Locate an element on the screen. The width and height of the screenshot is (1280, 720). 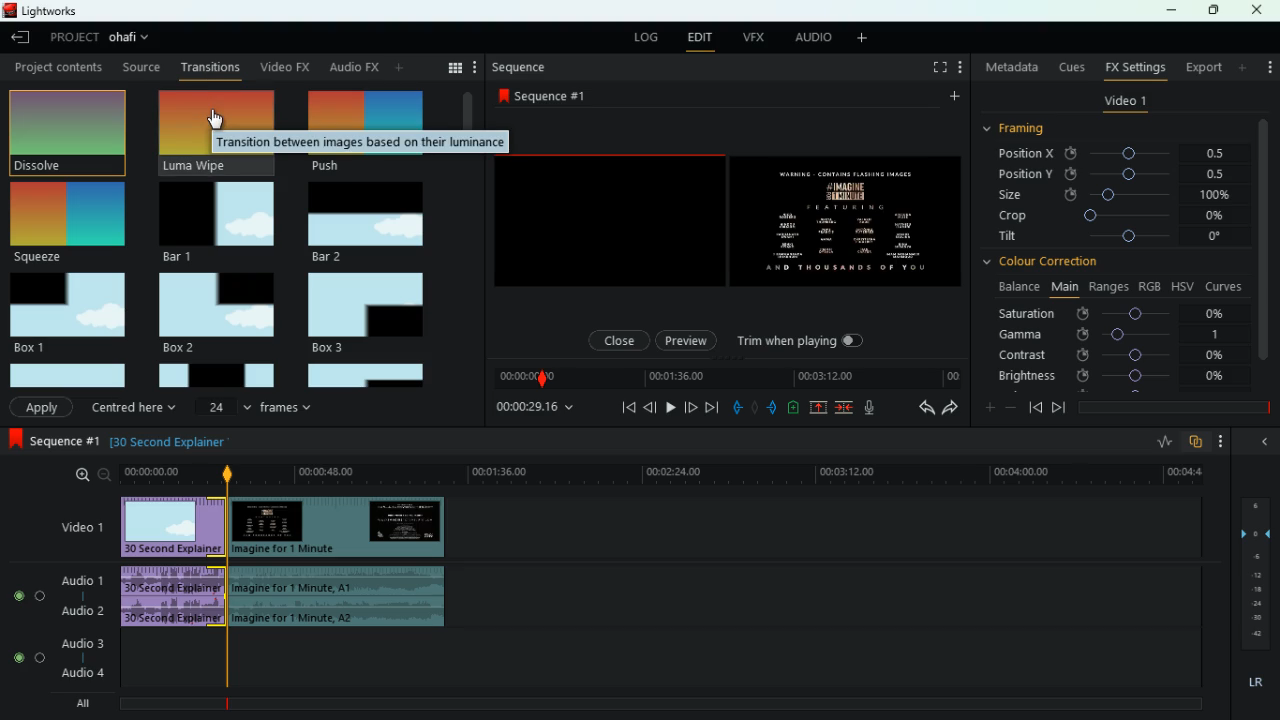
Apply is located at coordinates (42, 408).